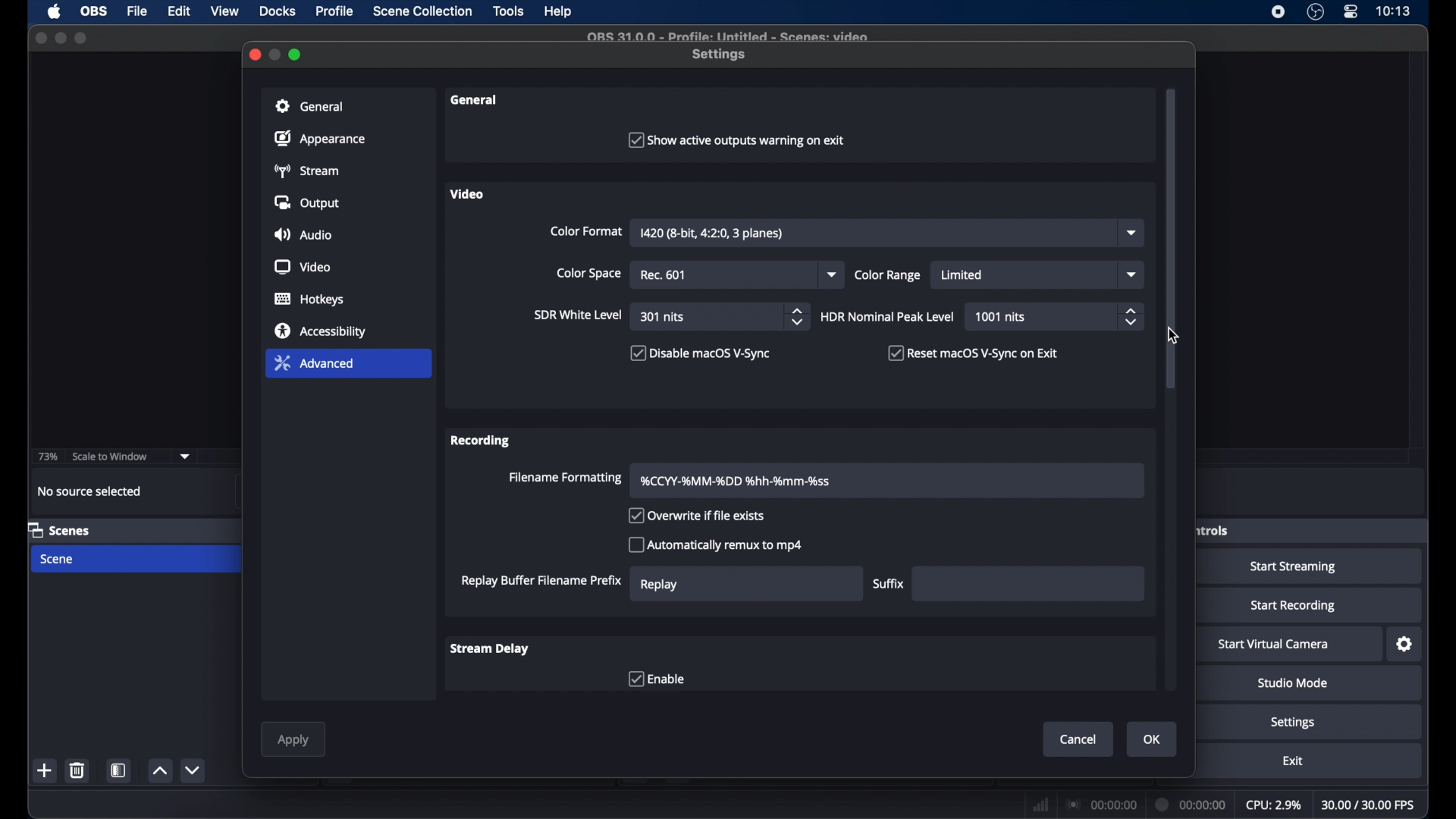 This screenshot has height=819, width=1456. I want to click on screen recorder, so click(1277, 12).